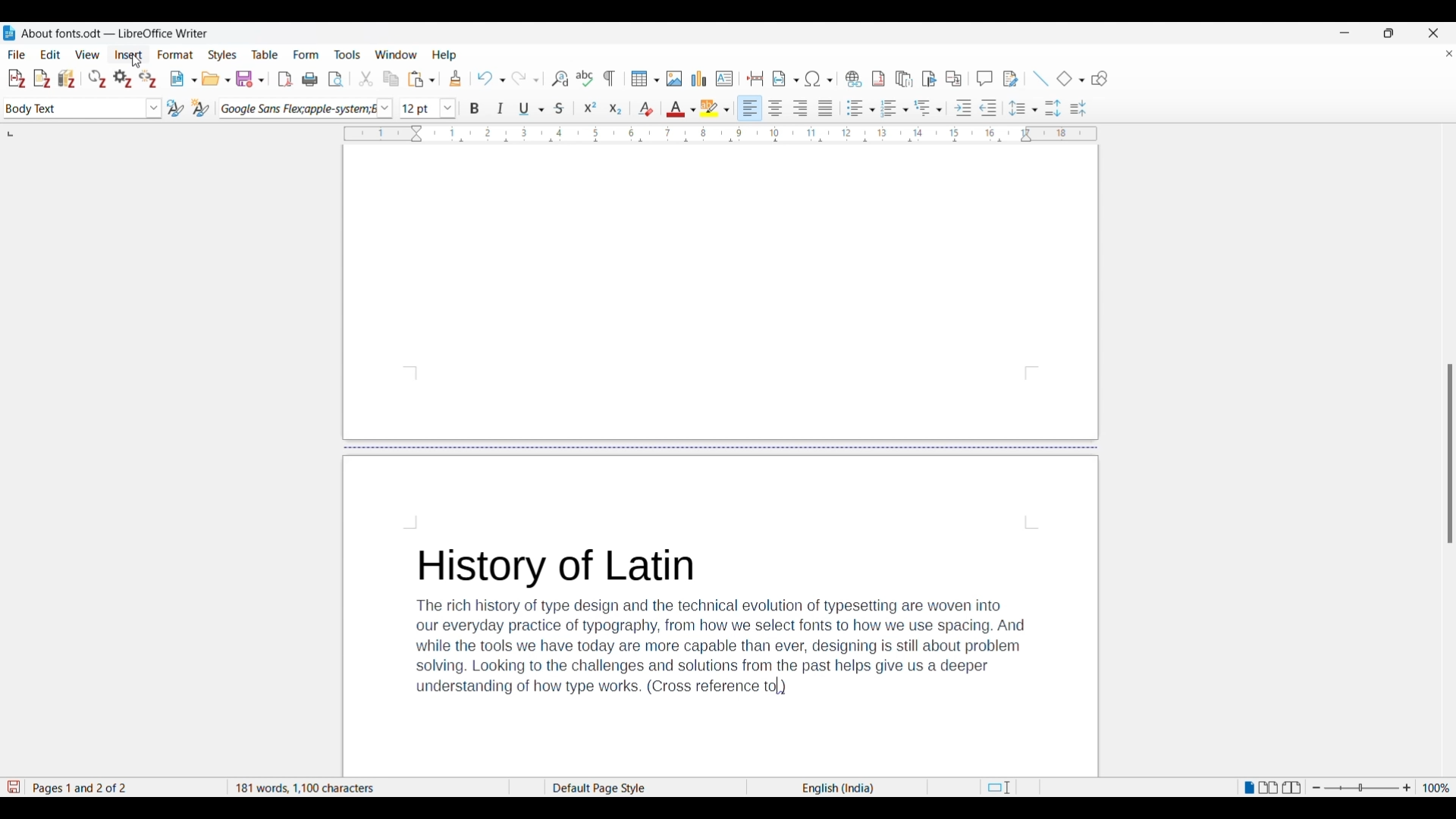  What do you see at coordinates (560, 108) in the screenshot?
I see `Strike through` at bounding box center [560, 108].